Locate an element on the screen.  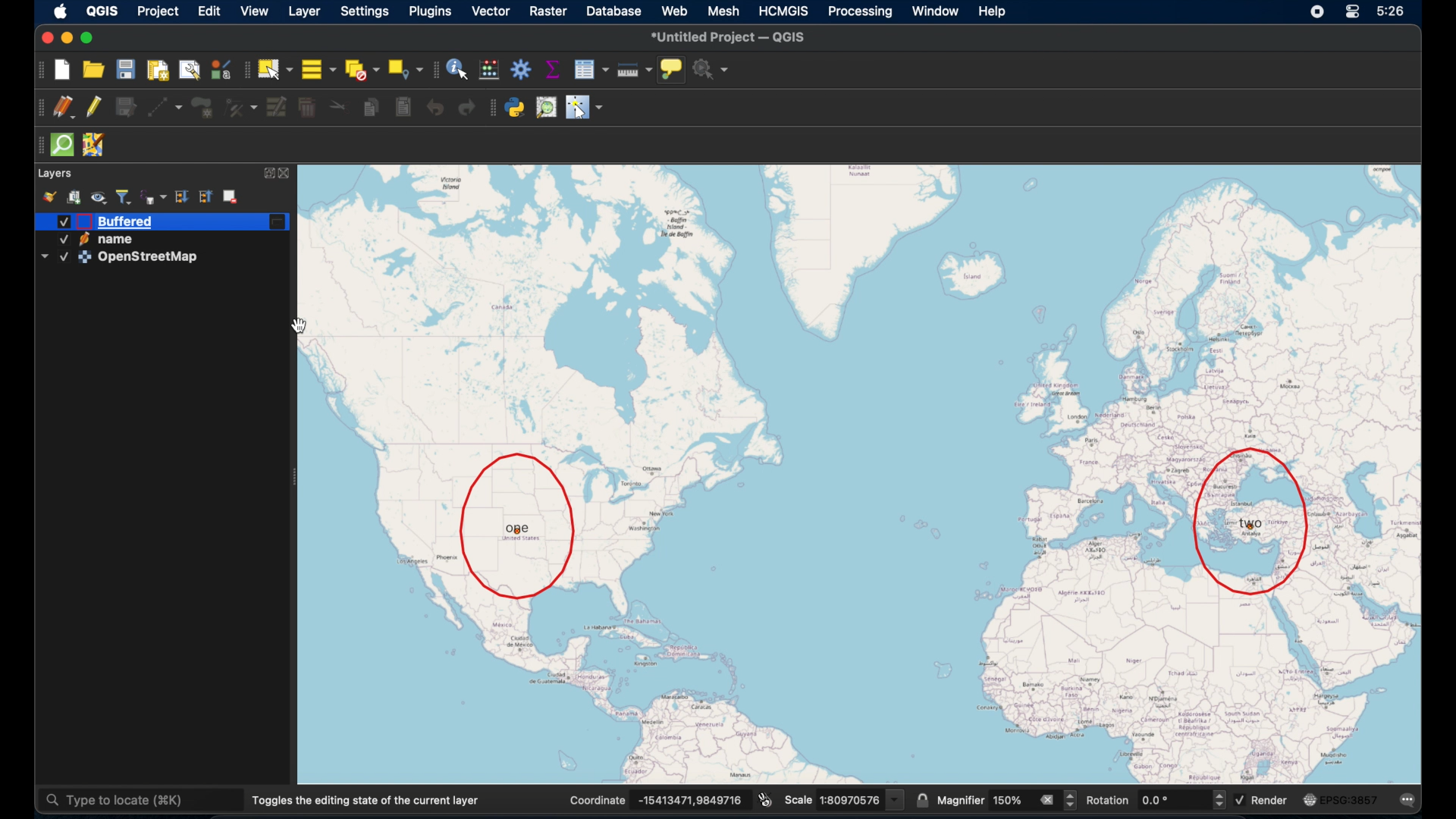
window is located at coordinates (934, 11).